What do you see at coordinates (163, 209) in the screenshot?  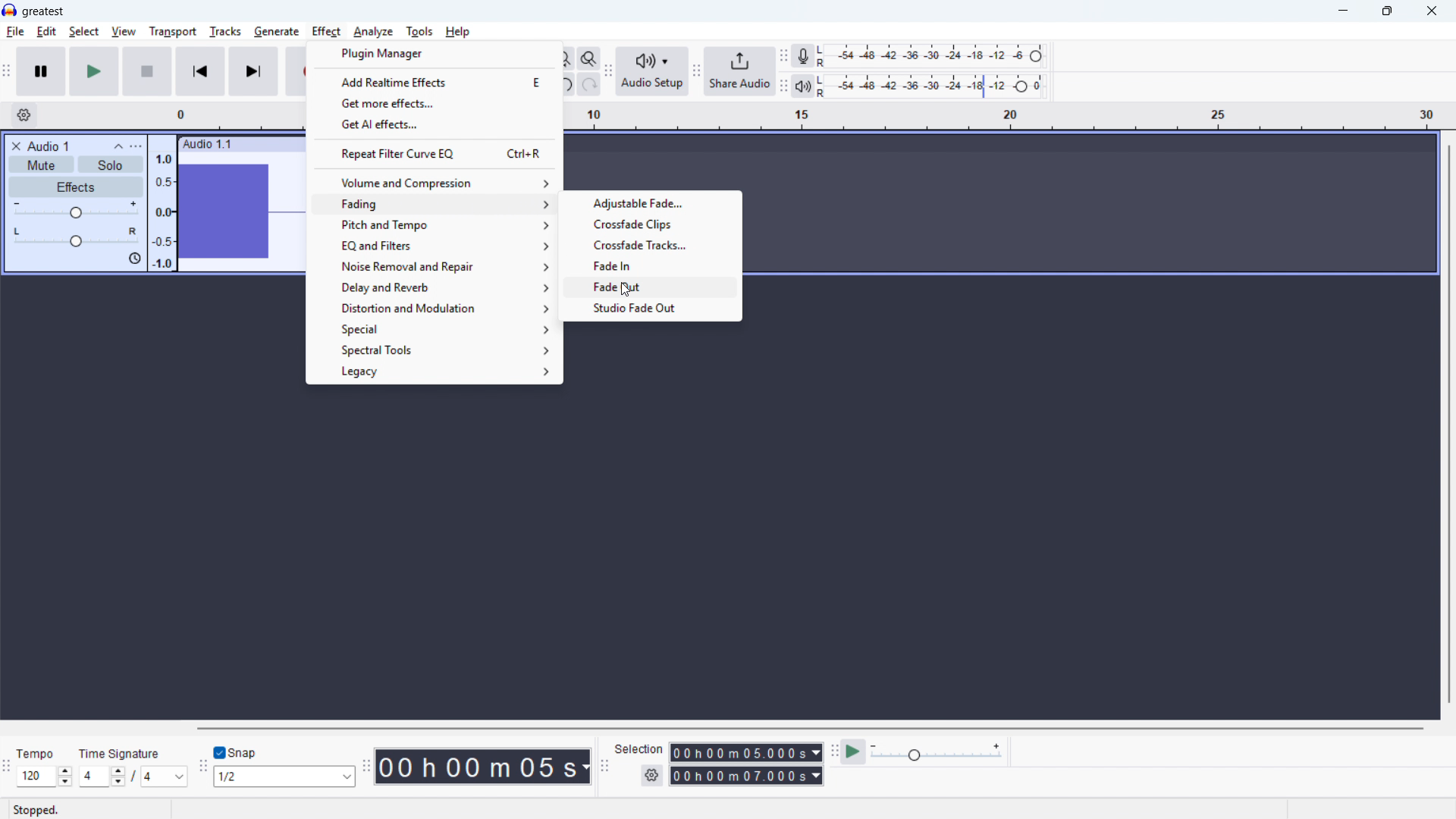 I see `amplitude` at bounding box center [163, 209].